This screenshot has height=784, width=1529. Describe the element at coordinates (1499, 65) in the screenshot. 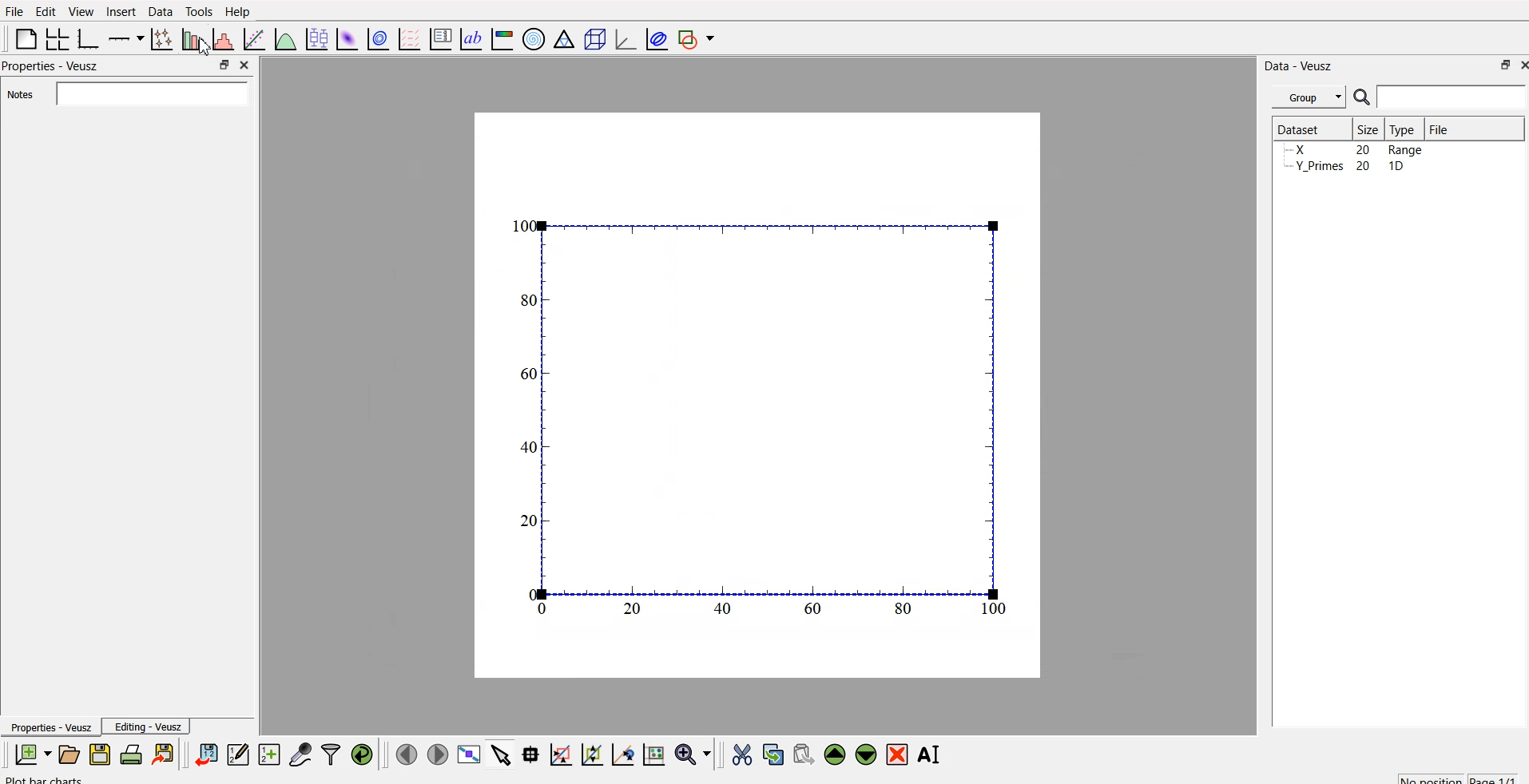

I see `maximize` at that location.